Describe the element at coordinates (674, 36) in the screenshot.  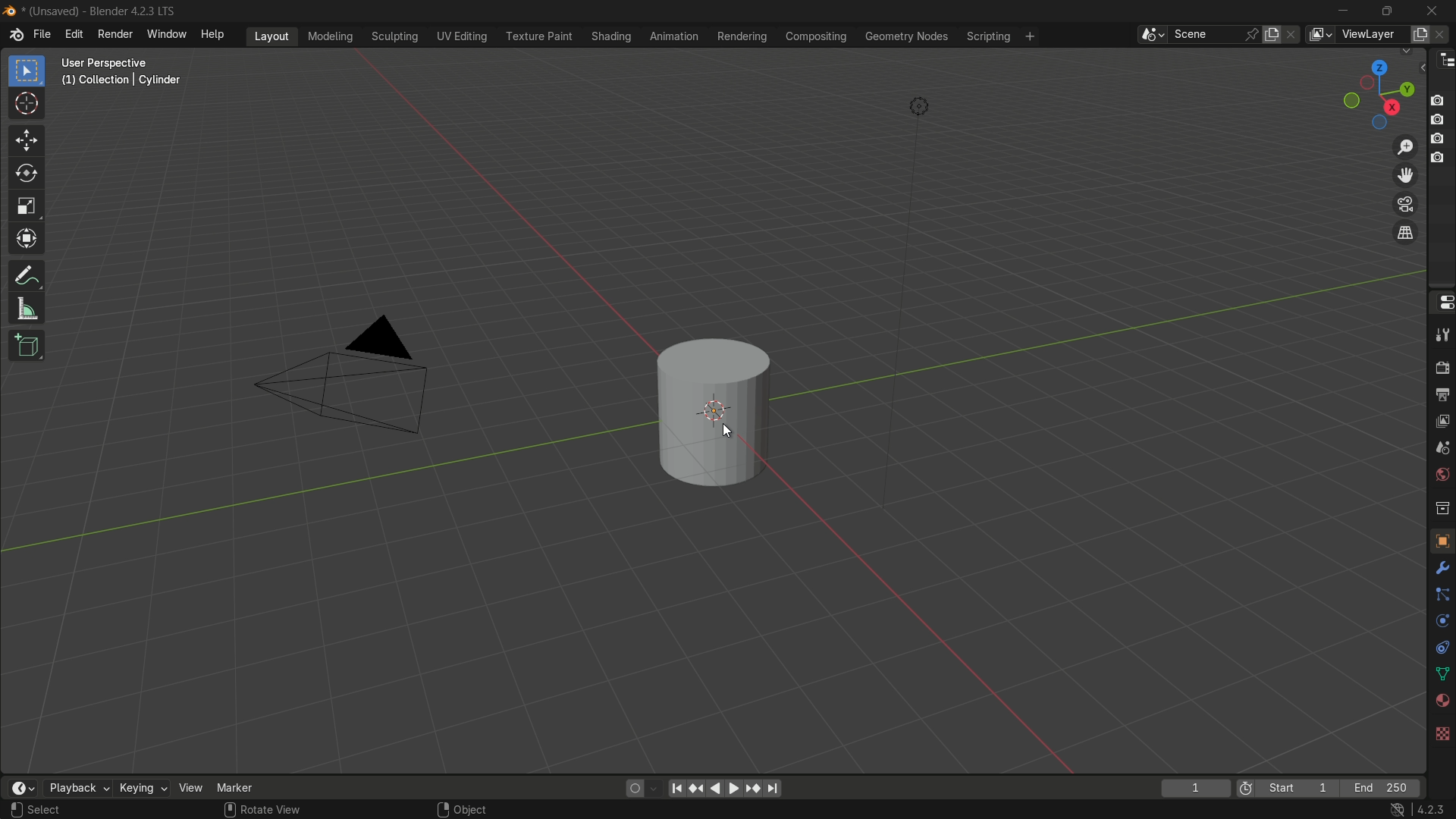
I see `animation` at that location.